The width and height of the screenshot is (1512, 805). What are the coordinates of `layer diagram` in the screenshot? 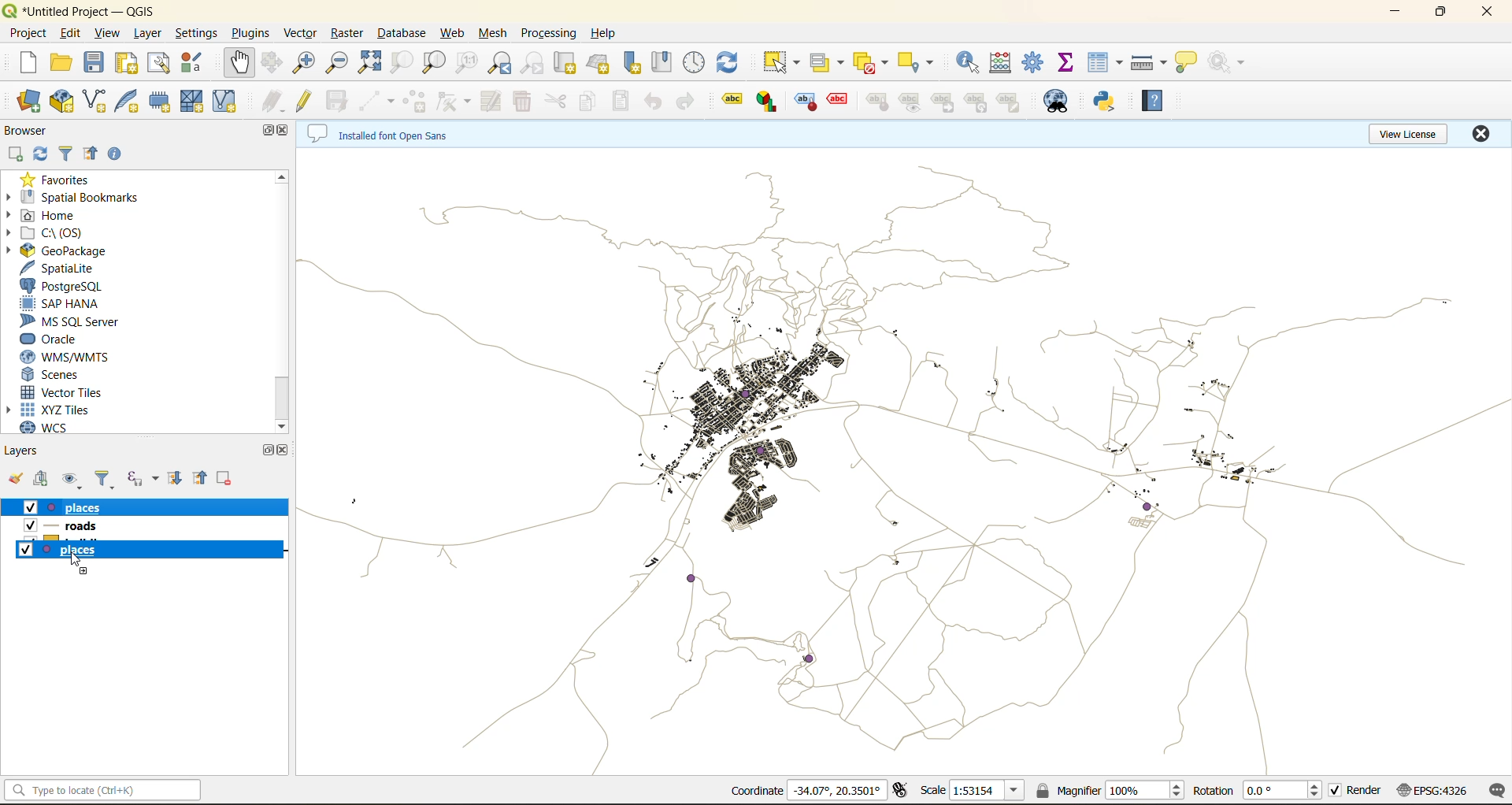 It's located at (769, 99).